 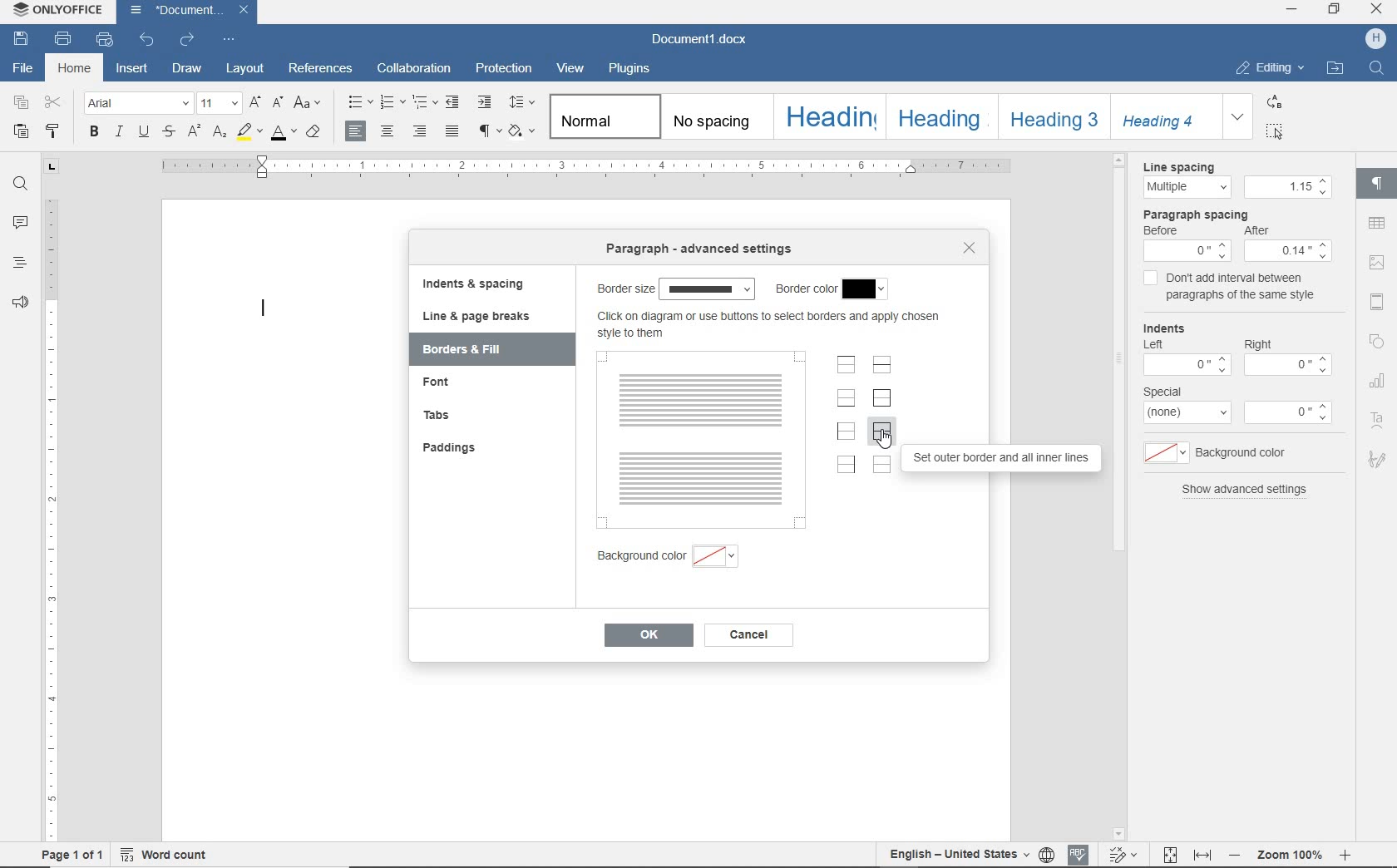 What do you see at coordinates (1230, 236) in the screenshot?
I see `Paragraph Spacing: Before 0, After:0.14` at bounding box center [1230, 236].